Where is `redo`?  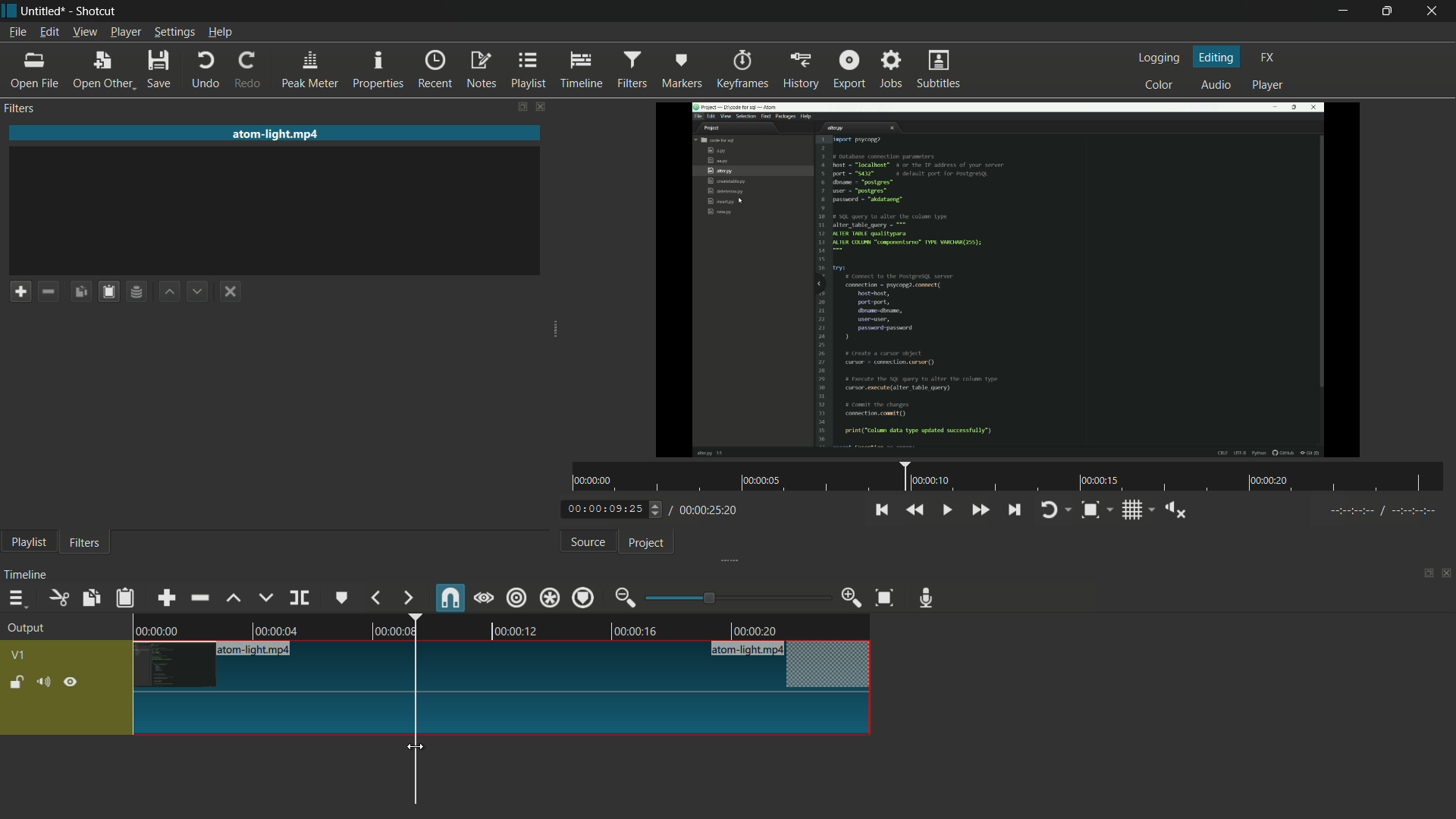 redo is located at coordinates (251, 71).